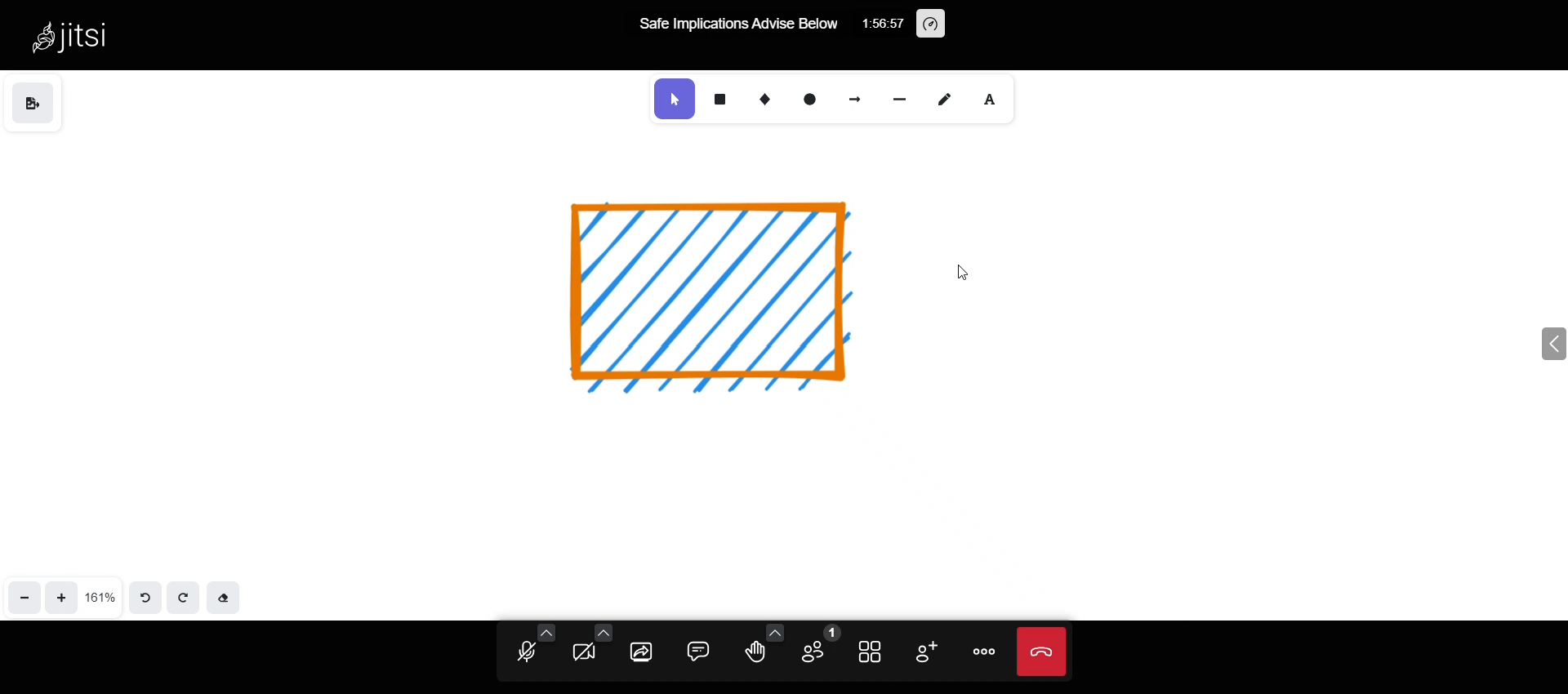 This screenshot has height=694, width=1568. What do you see at coordinates (88, 34) in the screenshot?
I see `Jitsi` at bounding box center [88, 34].